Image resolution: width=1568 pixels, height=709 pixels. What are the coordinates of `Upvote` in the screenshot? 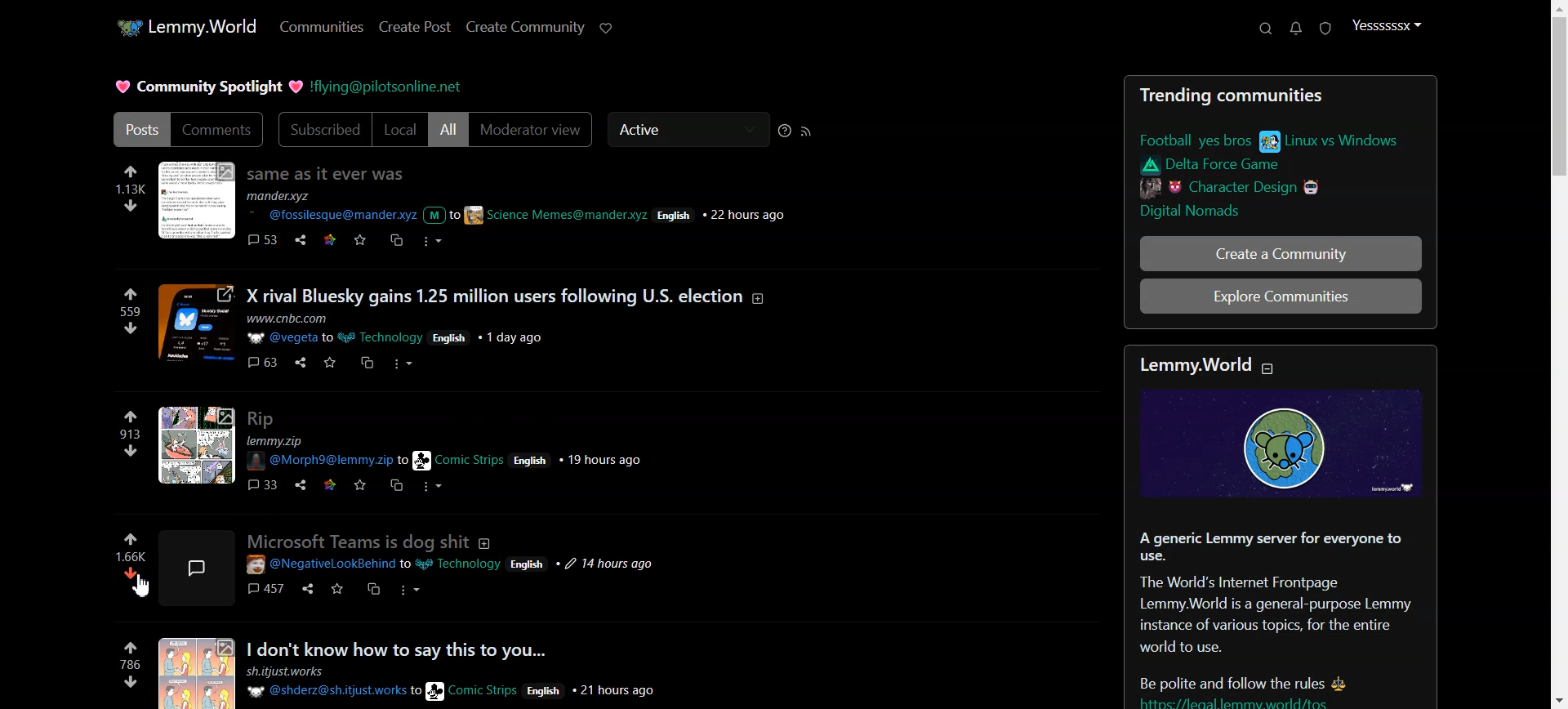 It's located at (131, 546).